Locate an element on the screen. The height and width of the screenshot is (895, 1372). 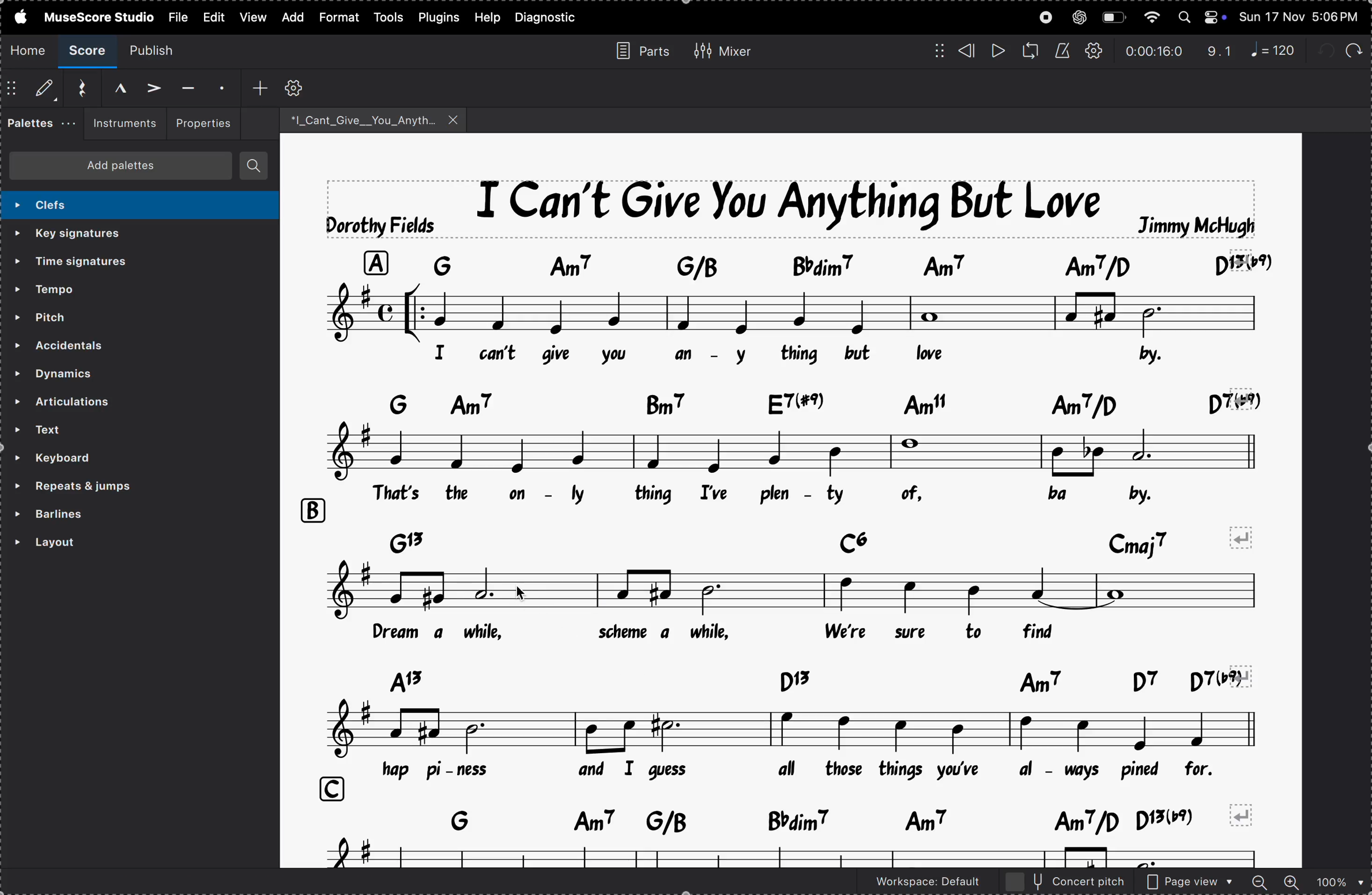
battery is located at coordinates (1113, 18).